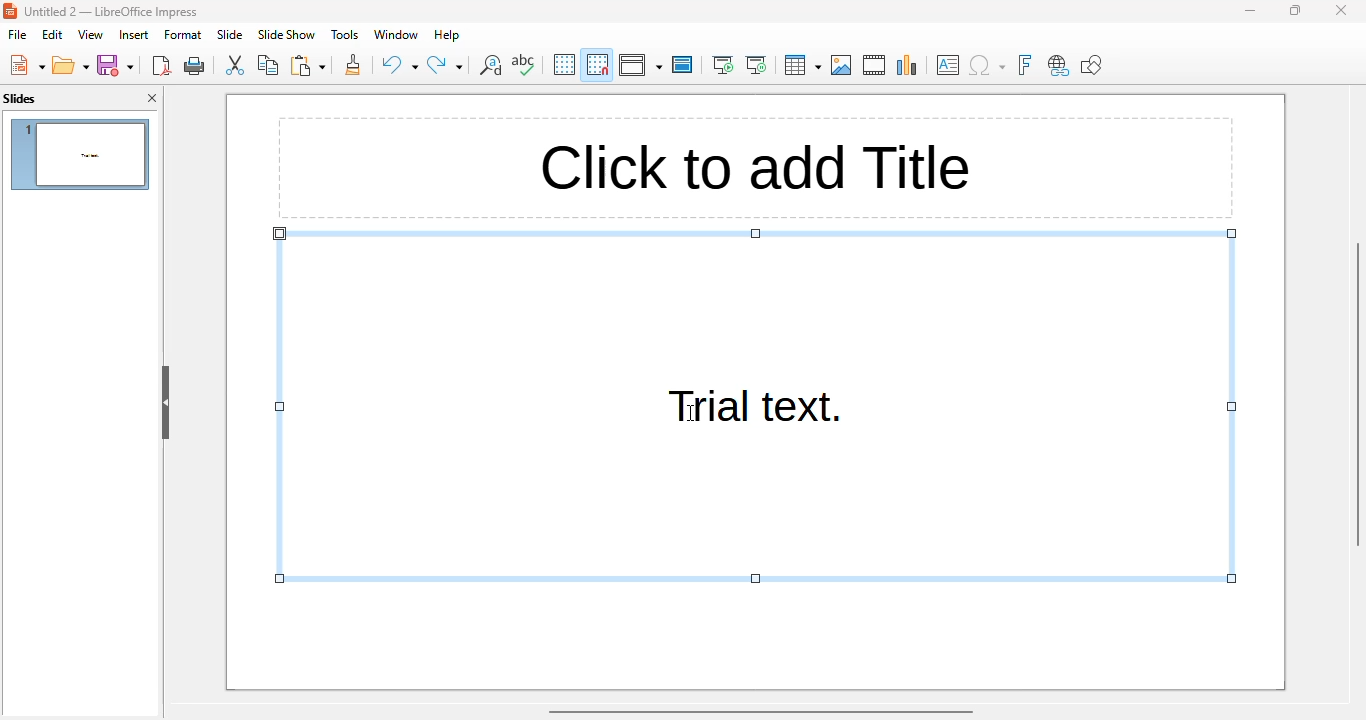 This screenshot has height=720, width=1366. I want to click on insert special characters, so click(987, 65).